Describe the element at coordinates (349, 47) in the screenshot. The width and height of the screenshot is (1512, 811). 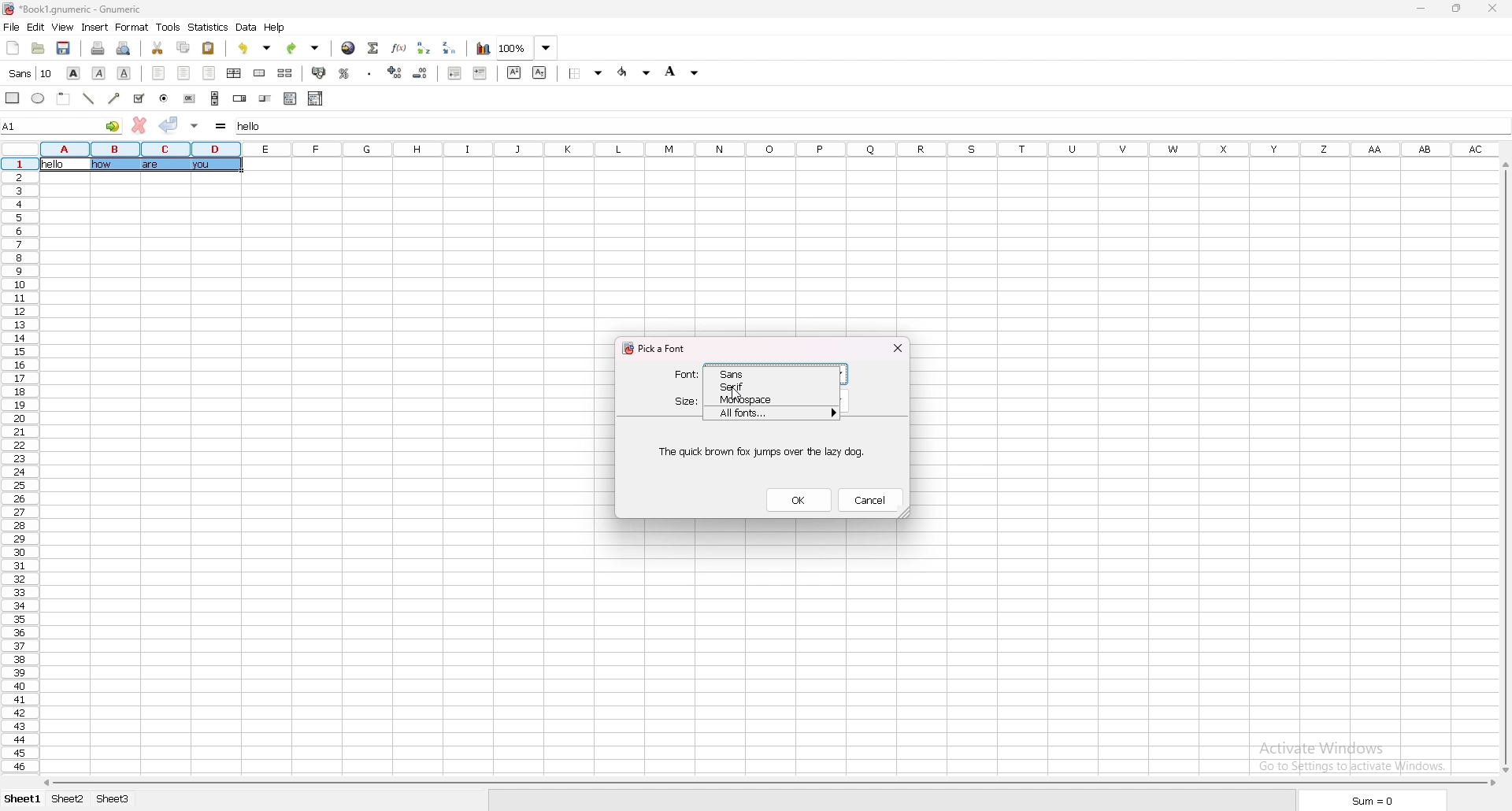
I see `hyperlink` at that location.